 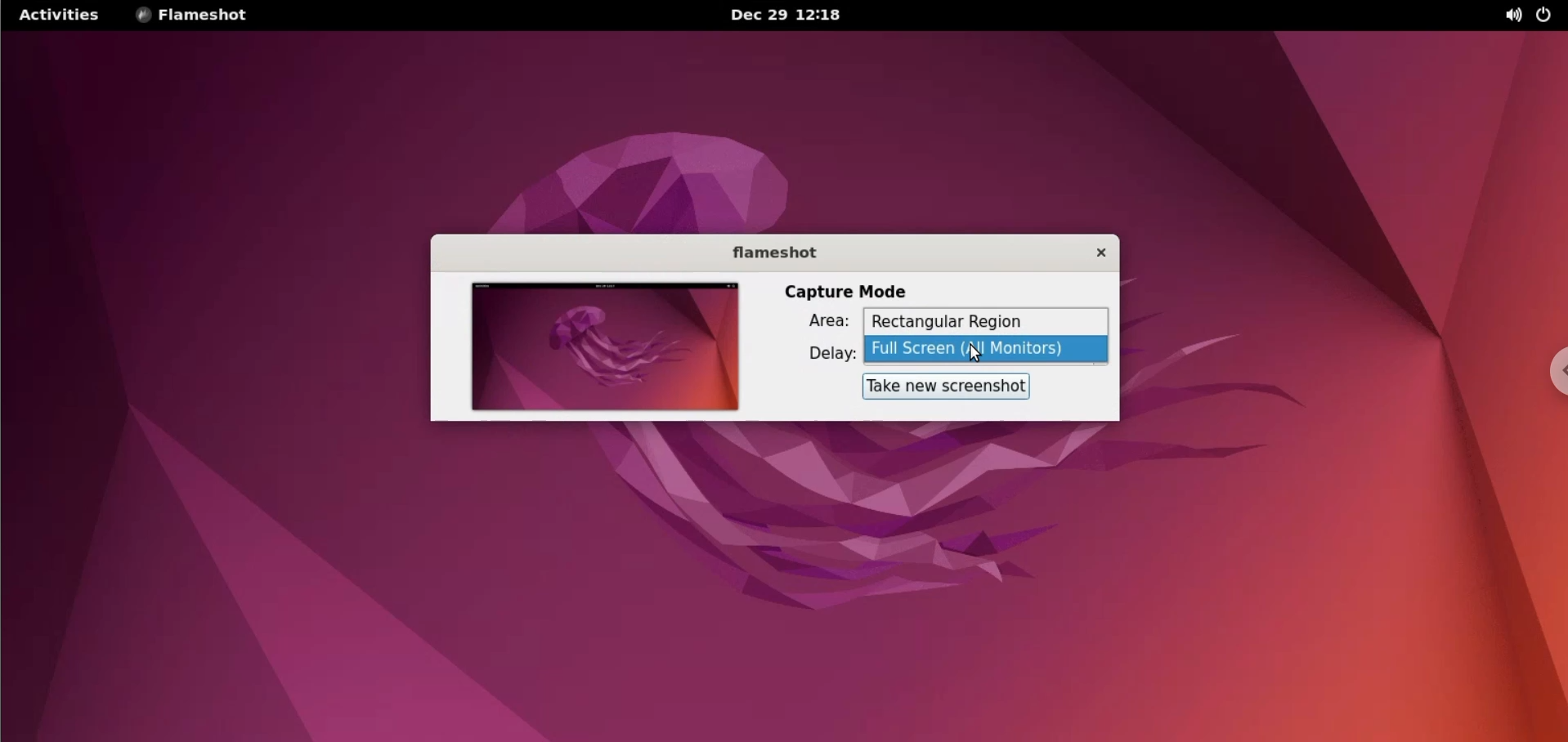 I want to click on flameshot label, so click(x=770, y=254).